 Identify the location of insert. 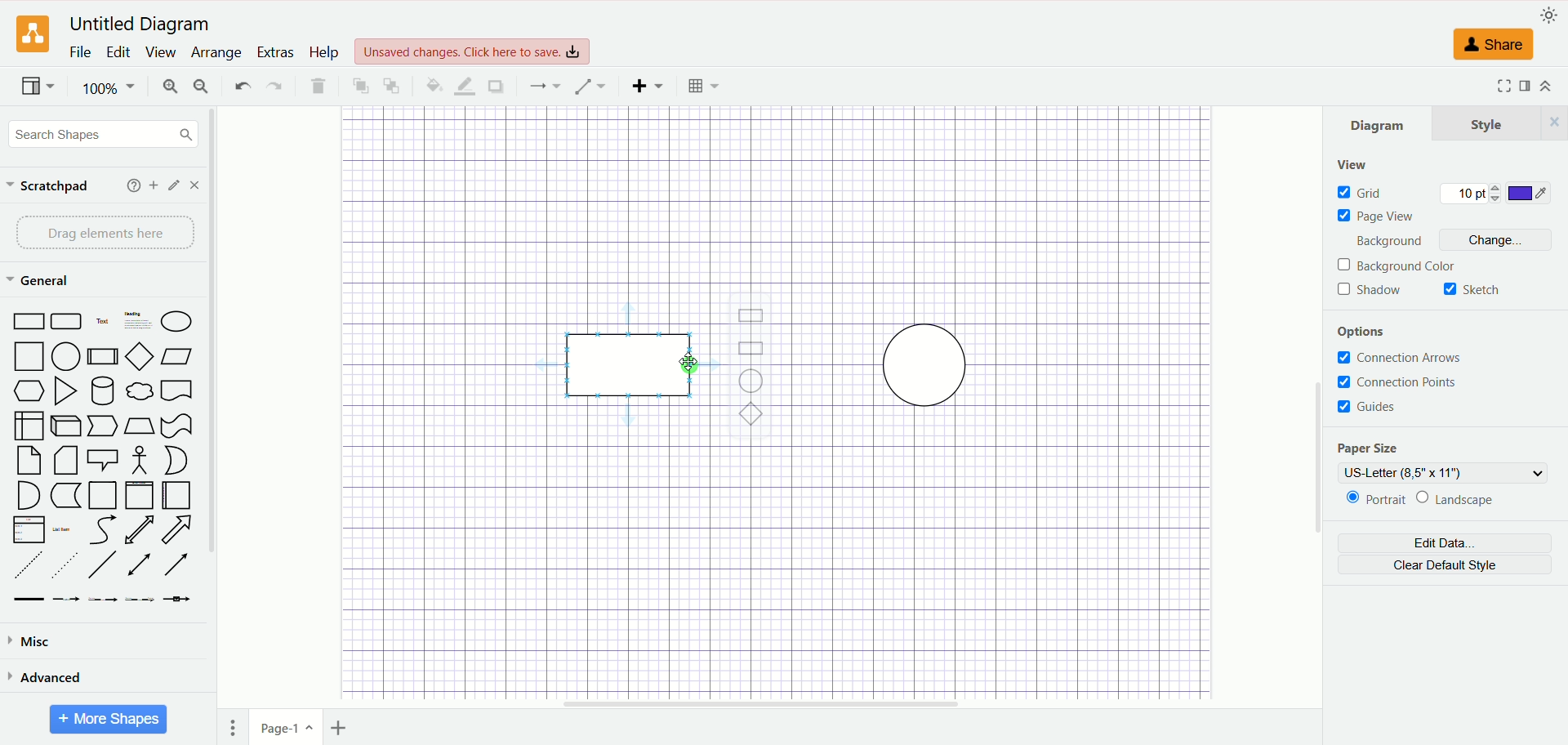
(648, 87).